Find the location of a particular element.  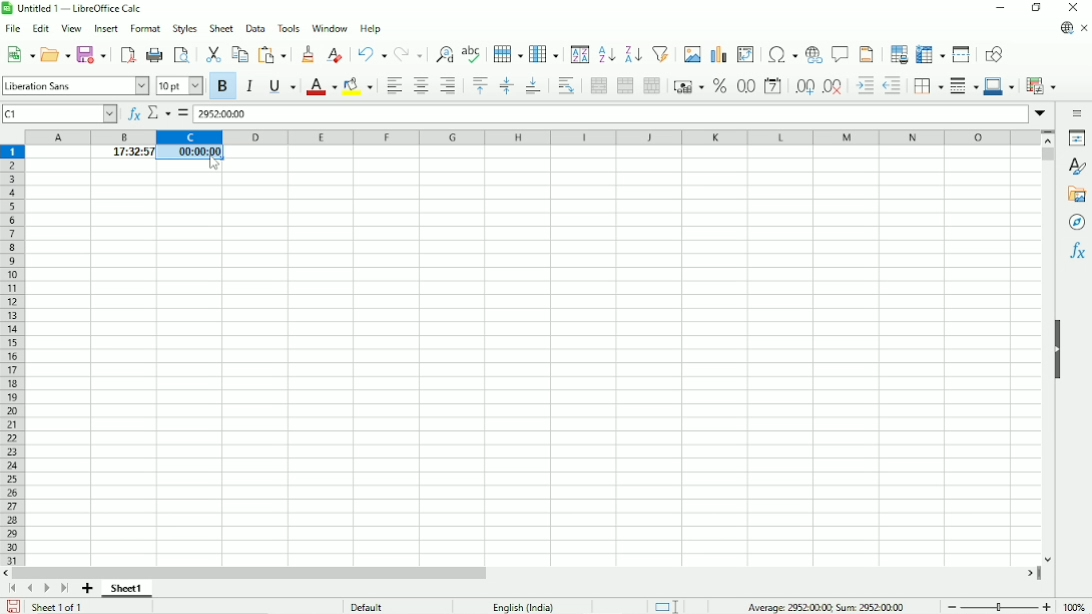

Conditional is located at coordinates (1043, 84).